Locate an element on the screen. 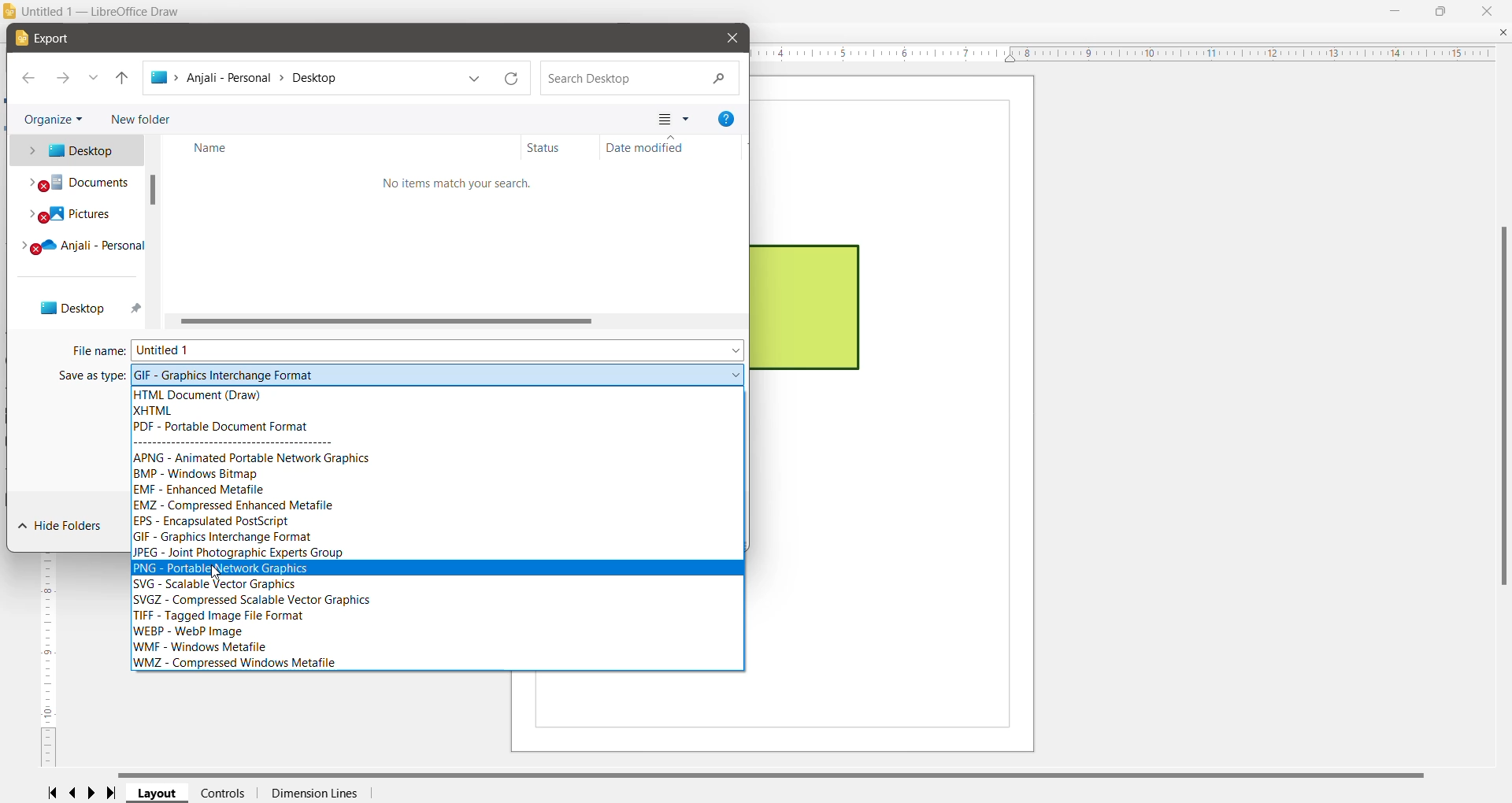  Scroll to previous page is located at coordinates (74, 794).